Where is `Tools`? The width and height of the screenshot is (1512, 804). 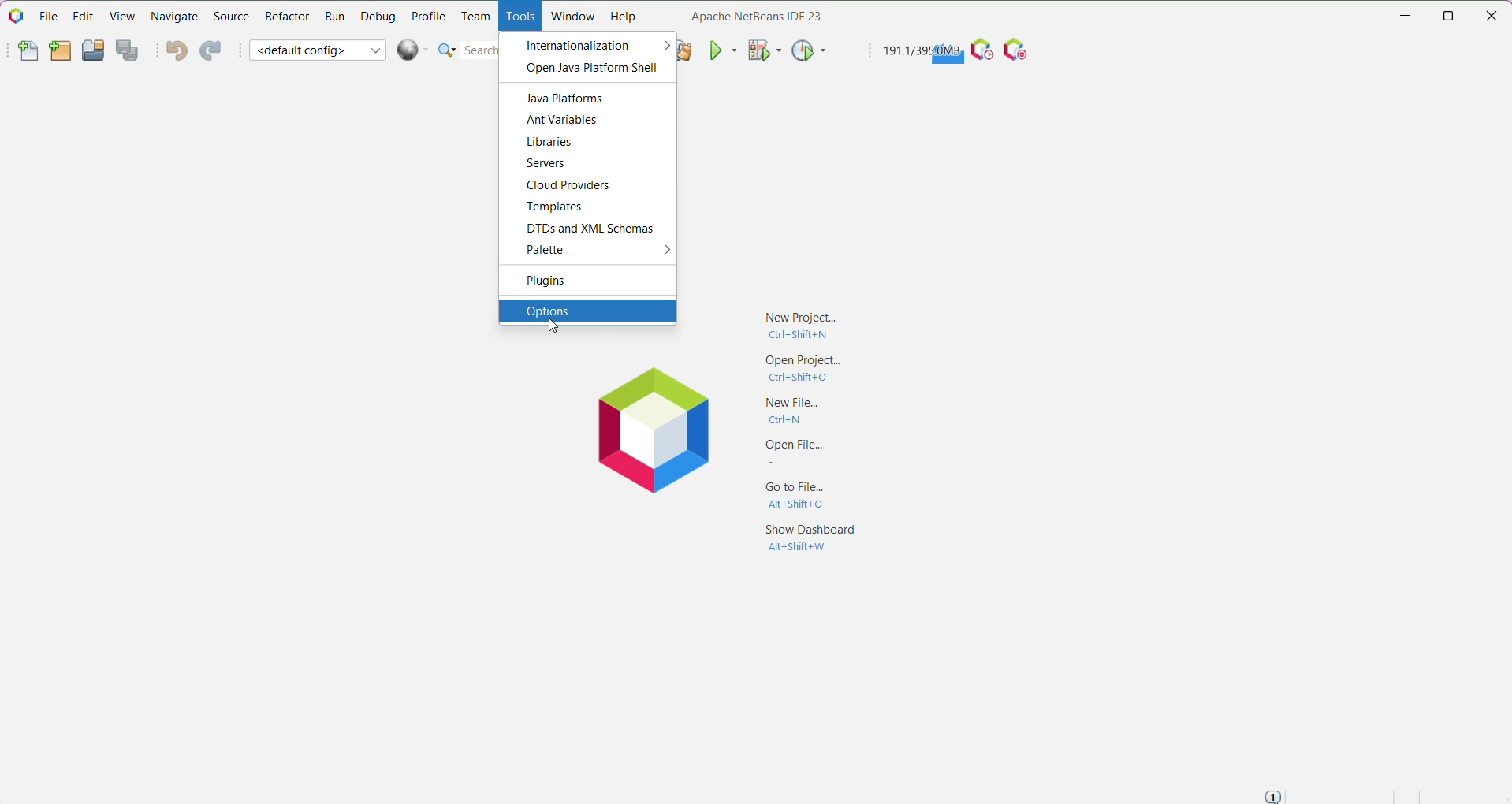
Tools is located at coordinates (520, 17).